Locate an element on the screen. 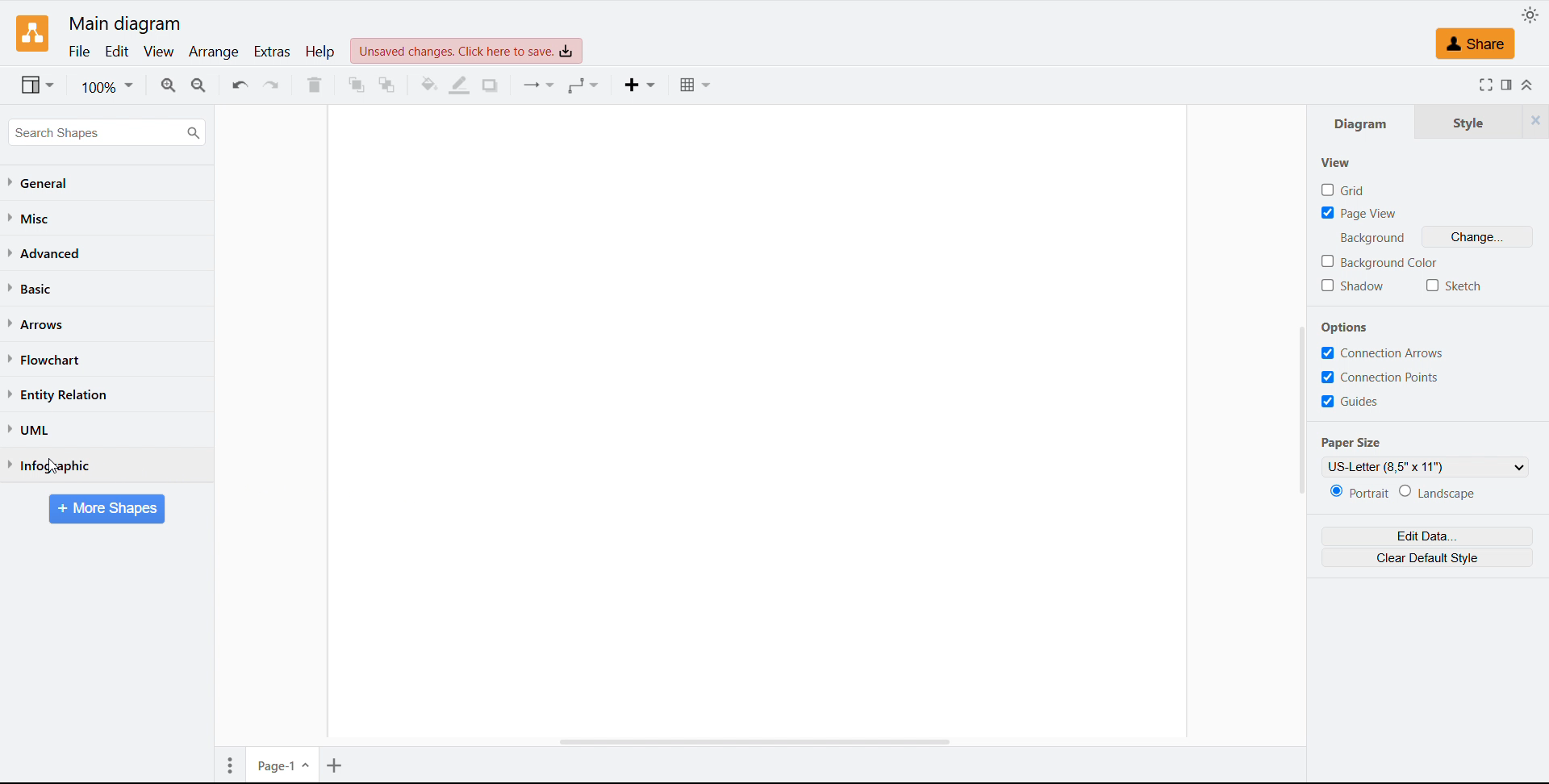 The width and height of the screenshot is (1549, 784). Zoom in  is located at coordinates (168, 84).